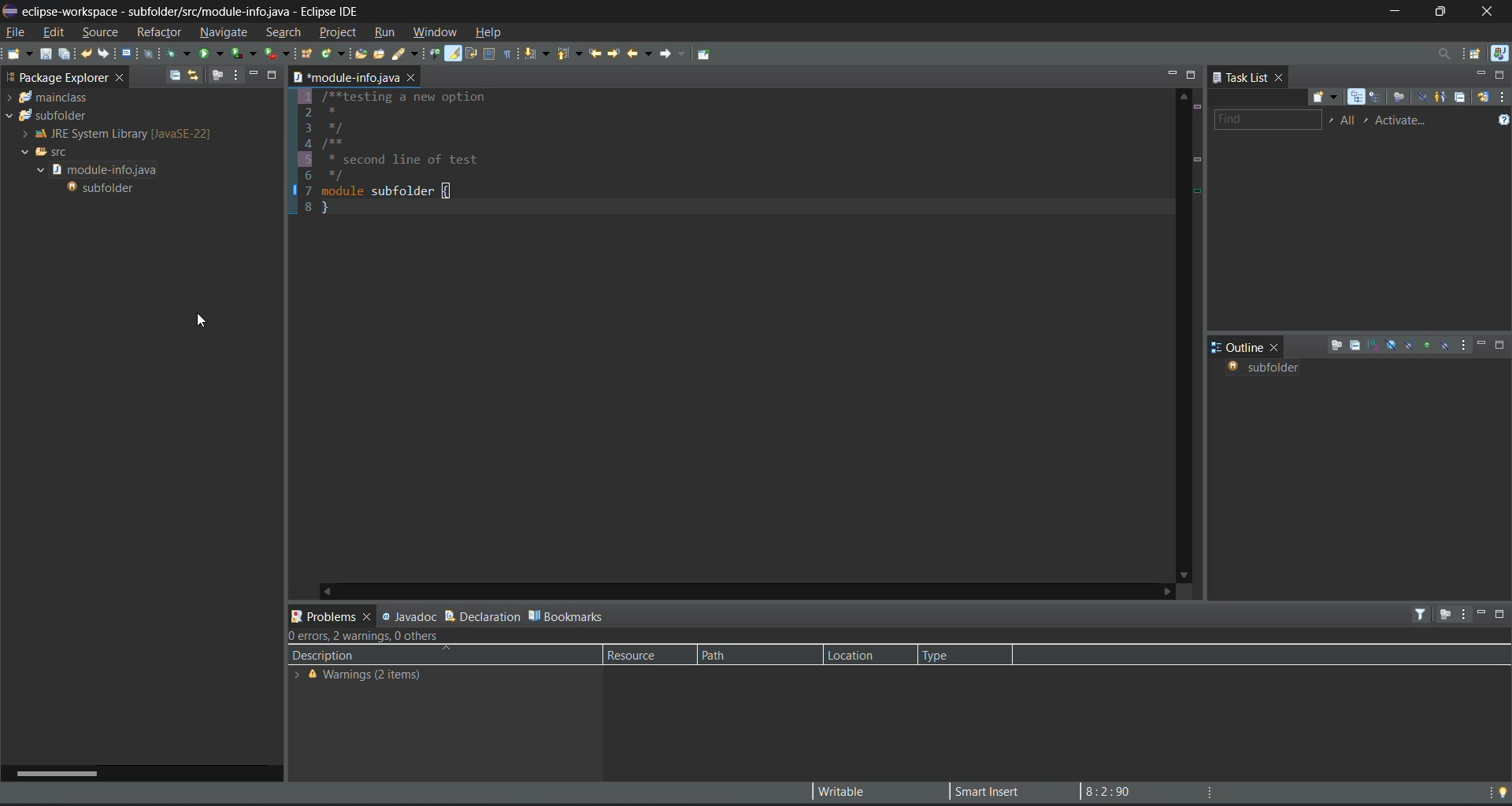 This screenshot has height=806, width=1512. Describe the element at coordinates (1442, 97) in the screenshot. I see `show only my tasks` at that location.